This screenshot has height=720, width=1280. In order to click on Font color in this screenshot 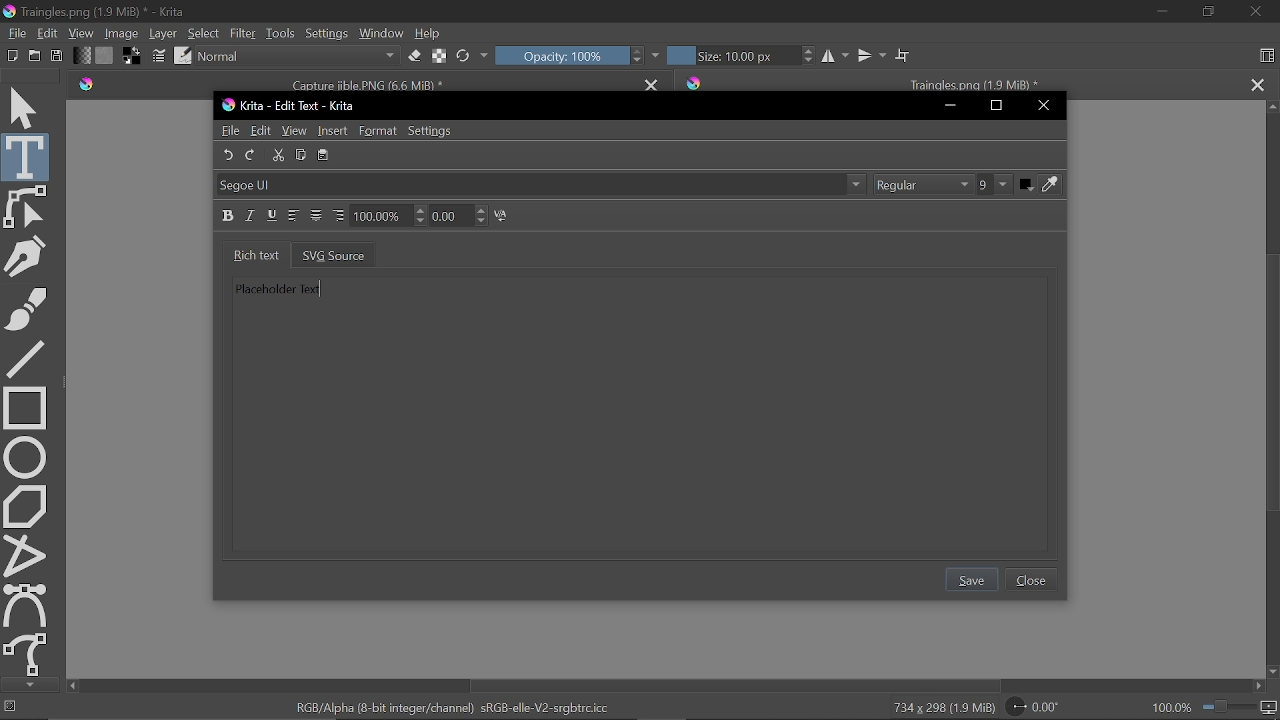, I will do `click(1042, 188)`.